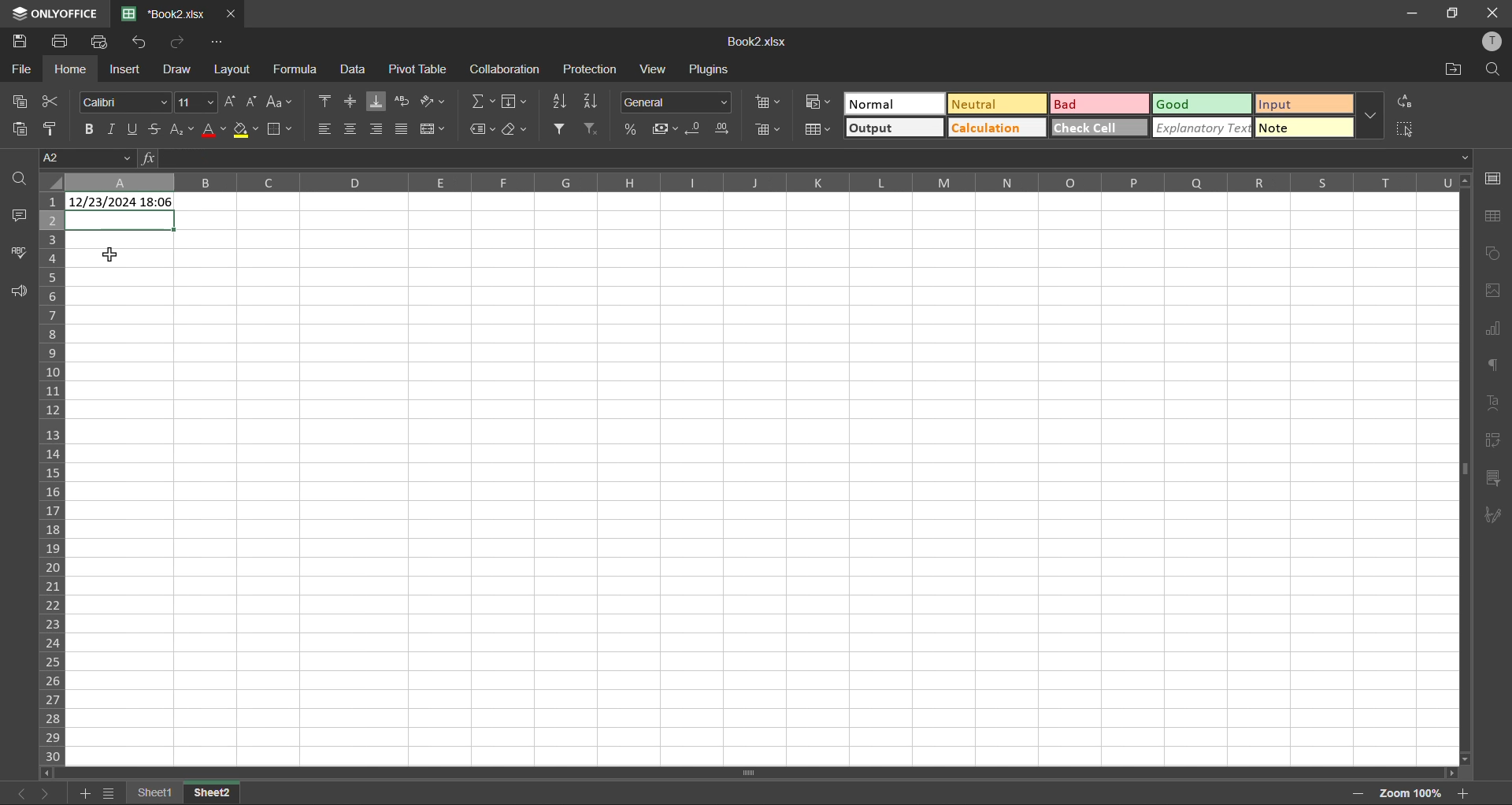 This screenshot has width=1512, height=805. I want to click on quick print, so click(103, 42).